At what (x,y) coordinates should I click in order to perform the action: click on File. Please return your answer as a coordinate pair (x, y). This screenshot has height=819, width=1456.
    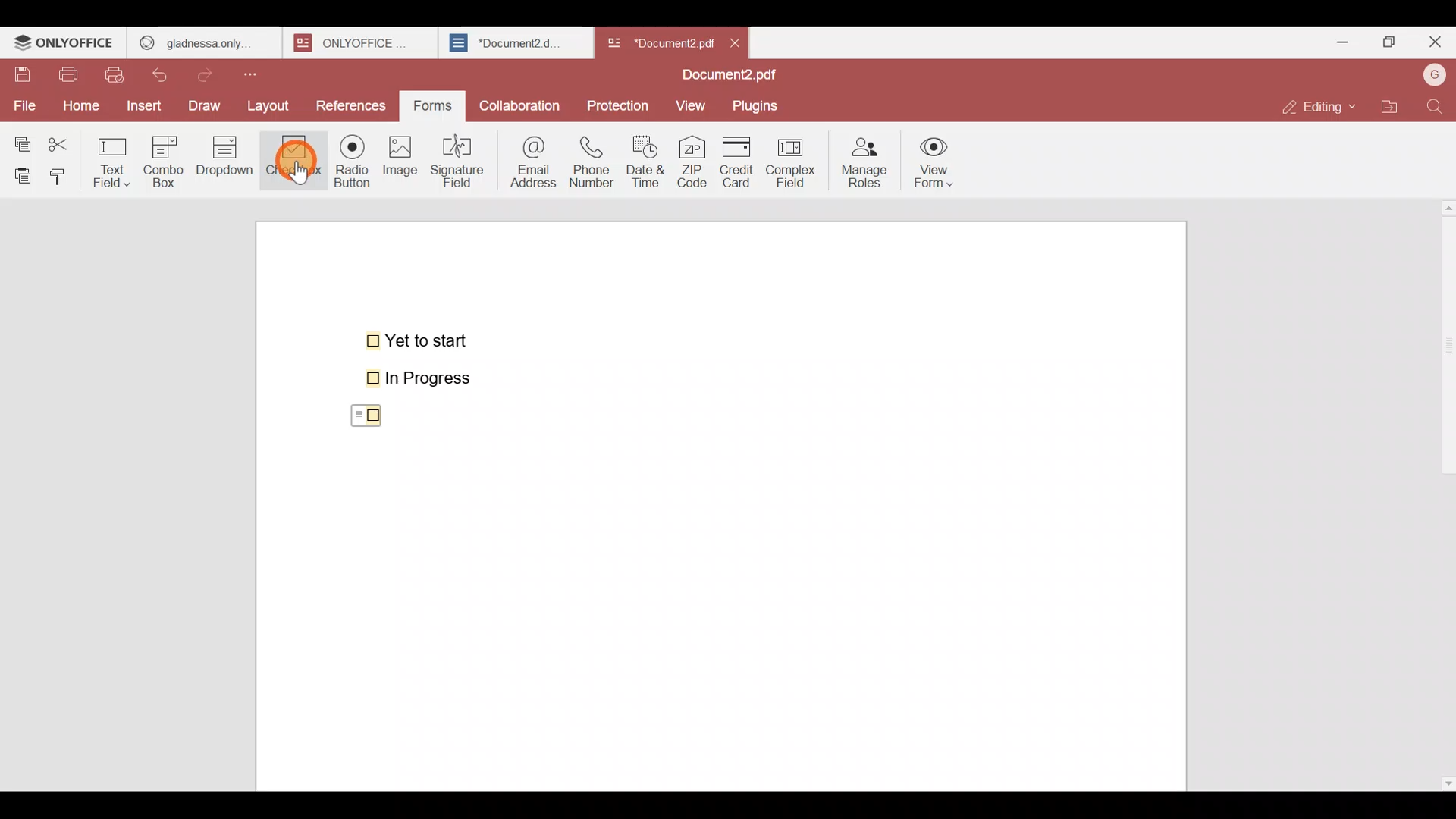
    Looking at the image, I should click on (24, 104).